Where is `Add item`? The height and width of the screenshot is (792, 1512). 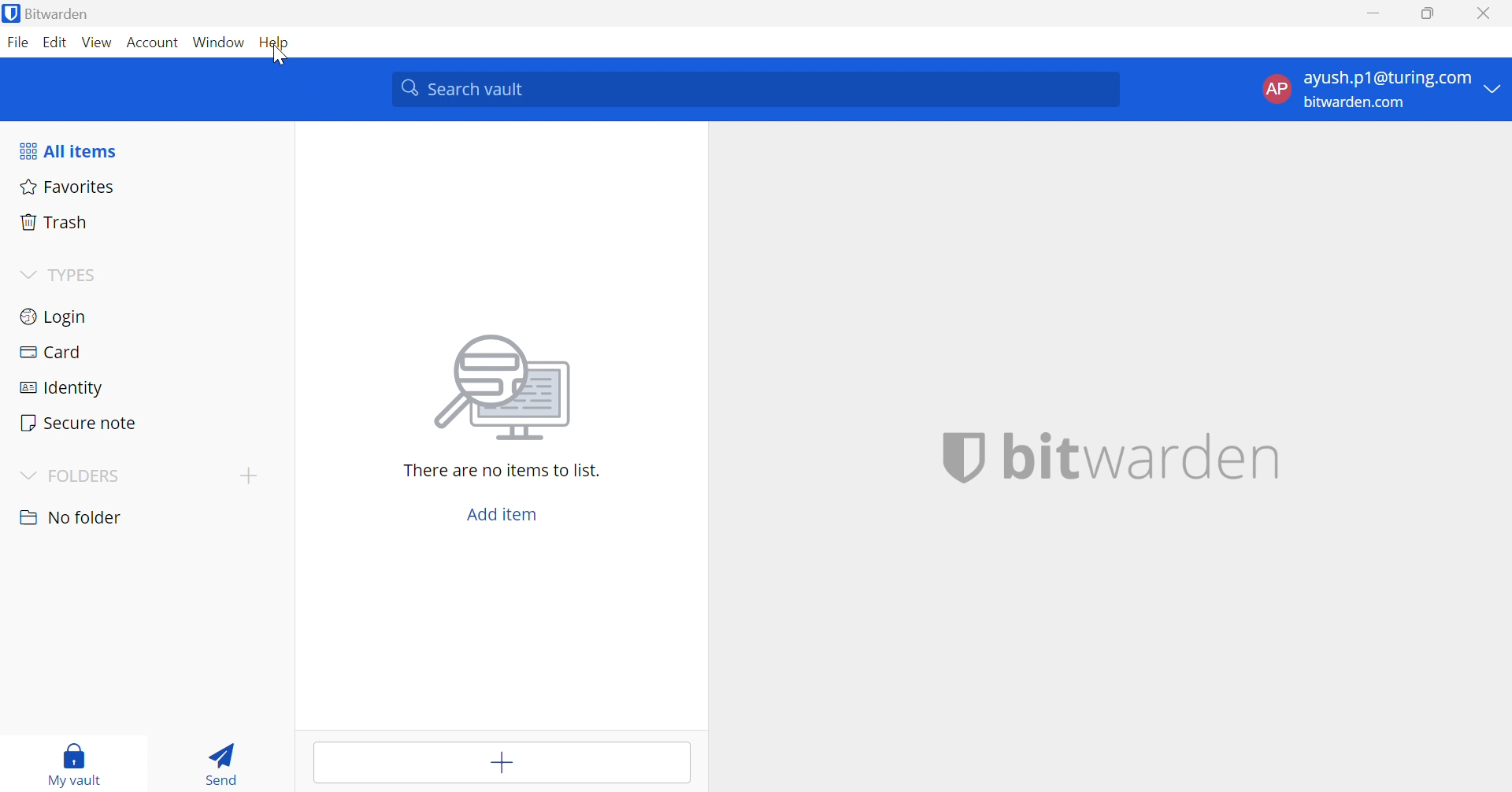 Add item is located at coordinates (503, 764).